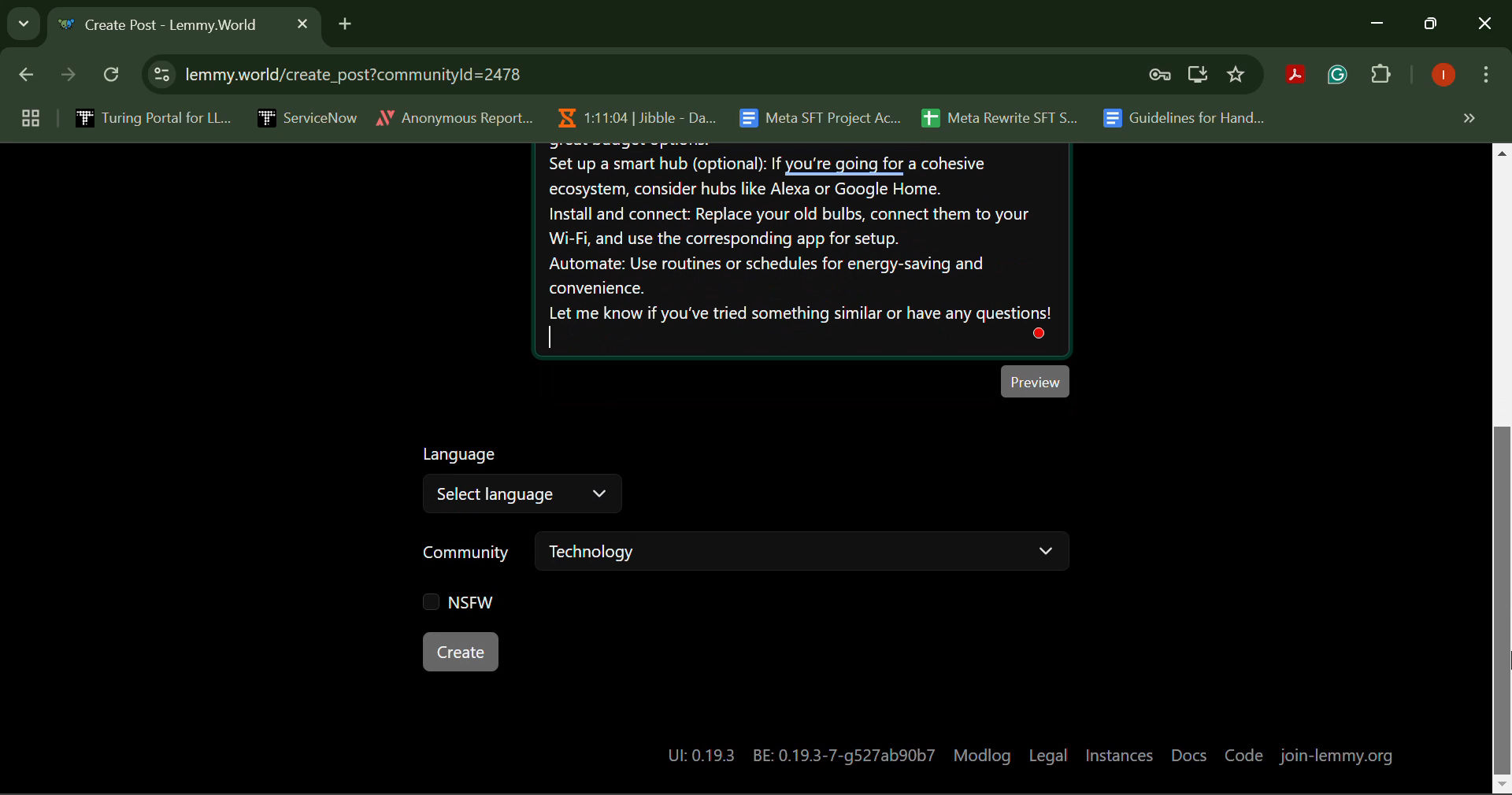  What do you see at coordinates (20, 21) in the screenshot?
I see `Search Tabs` at bounding box center [20, 21].